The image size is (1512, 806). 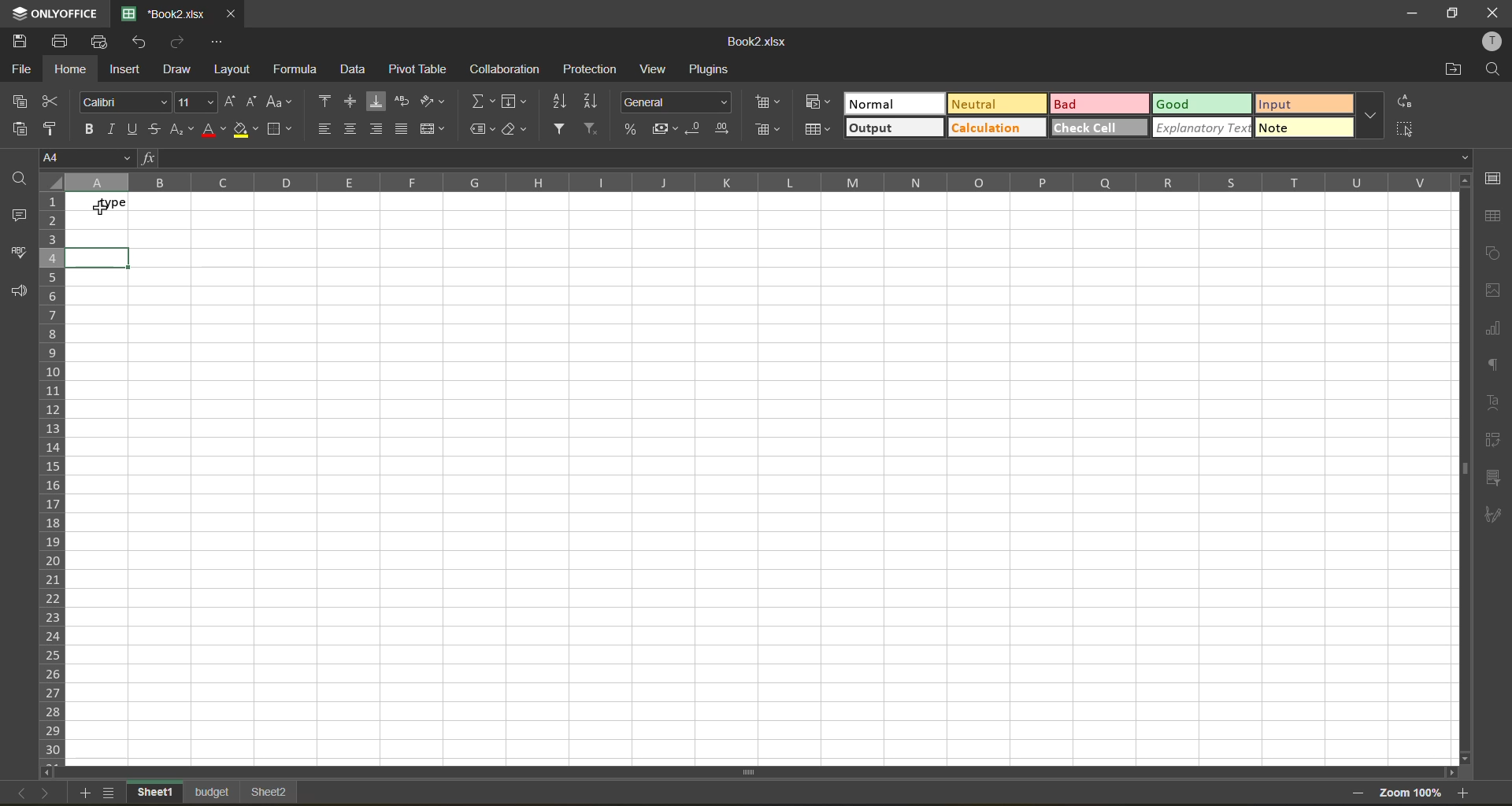 I want to click on align right, so click(x=376, y=128).